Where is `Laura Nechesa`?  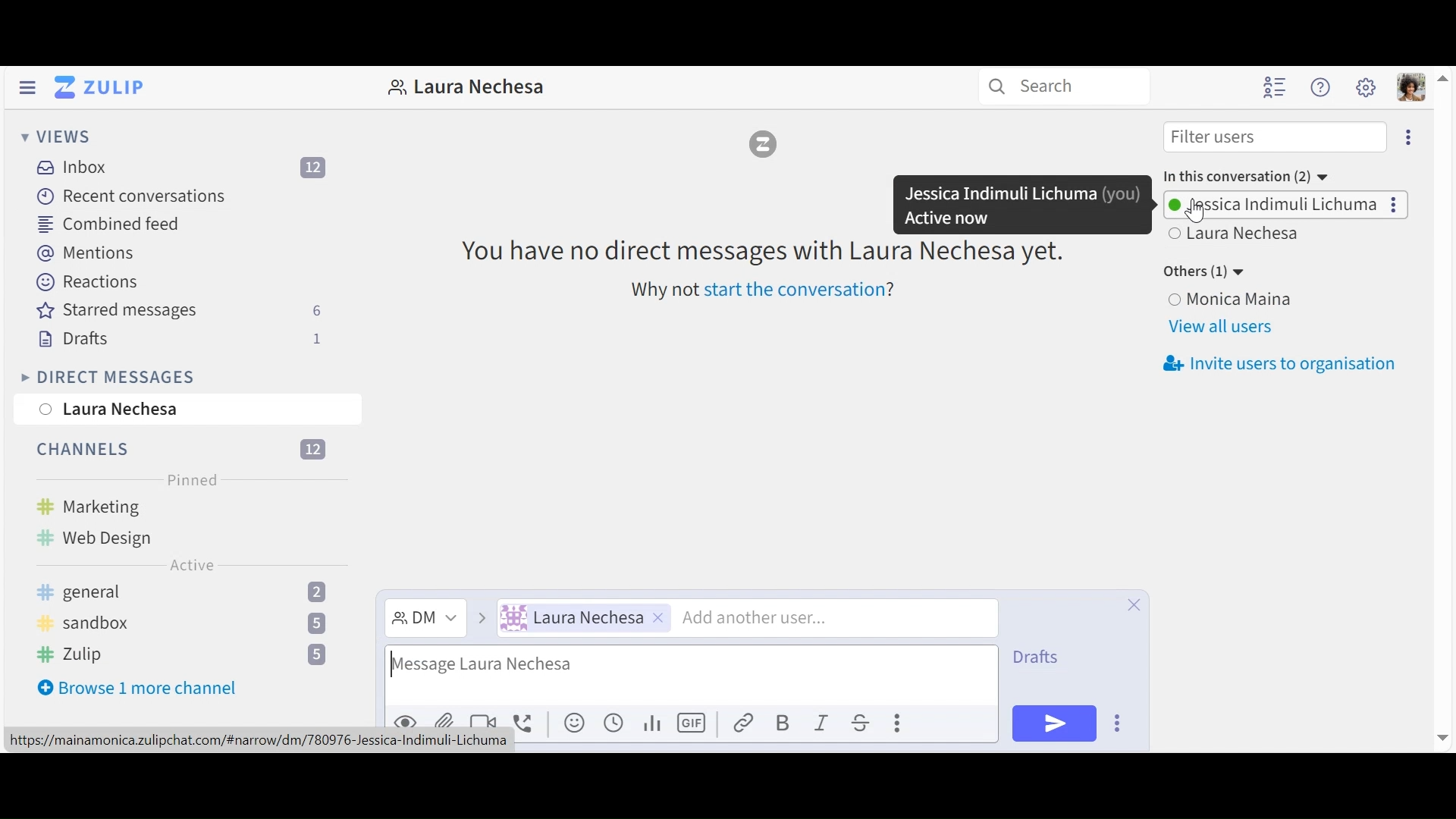
Laura Nechesa is located at coordinates (111, 411).